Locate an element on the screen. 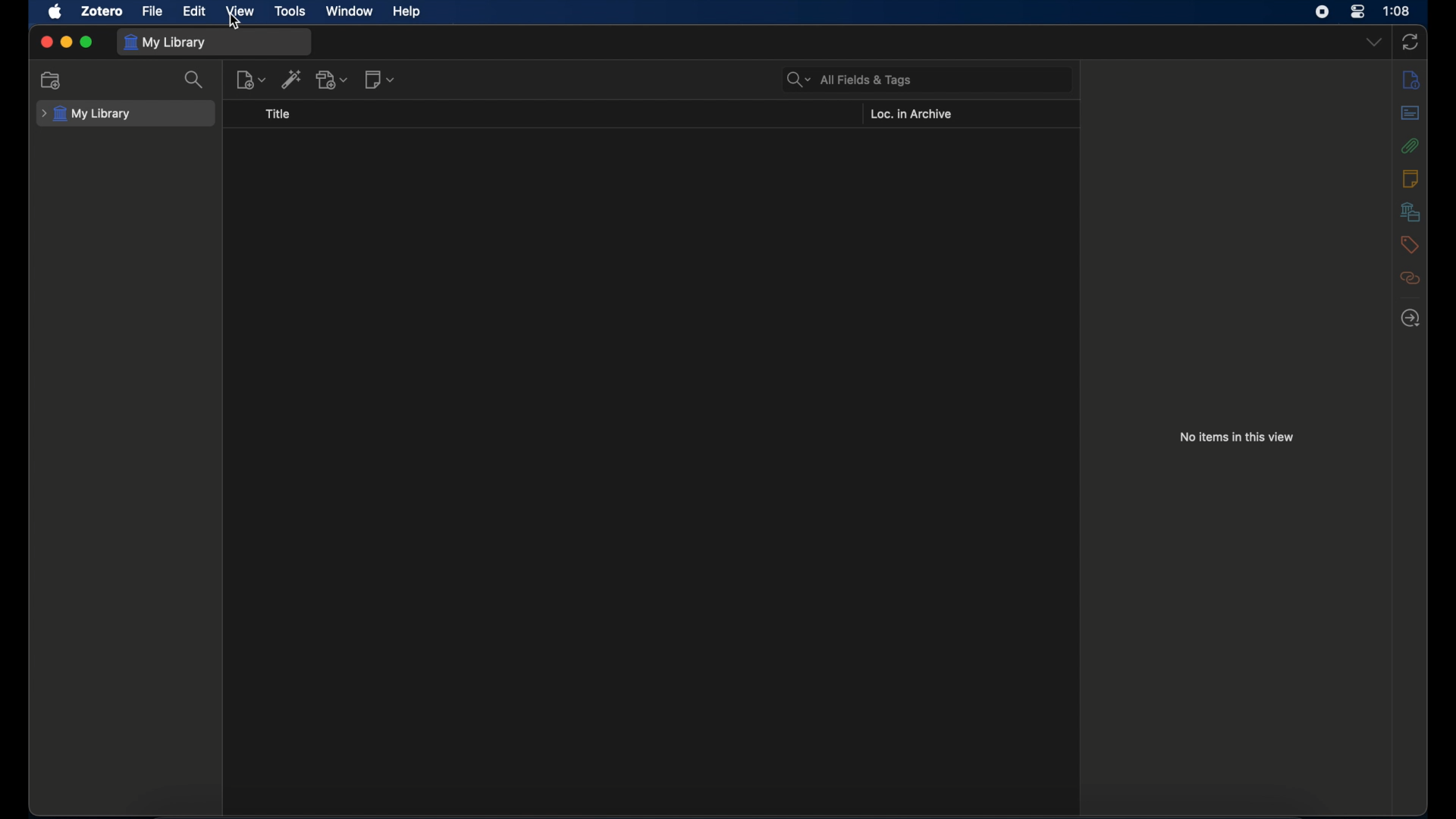  edit is located at coordinates (195, 11).